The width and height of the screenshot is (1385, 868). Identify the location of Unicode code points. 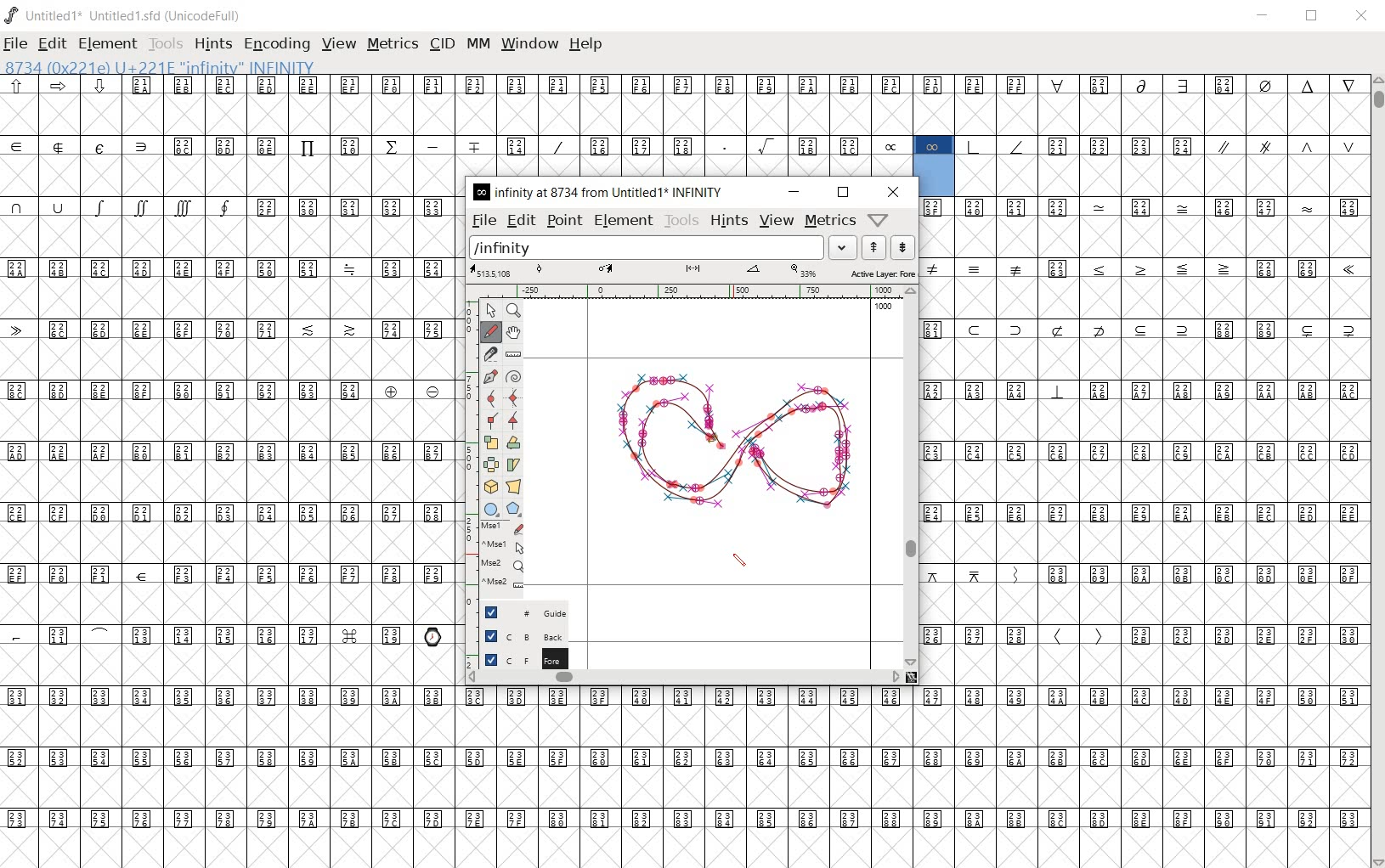
(684, 696).